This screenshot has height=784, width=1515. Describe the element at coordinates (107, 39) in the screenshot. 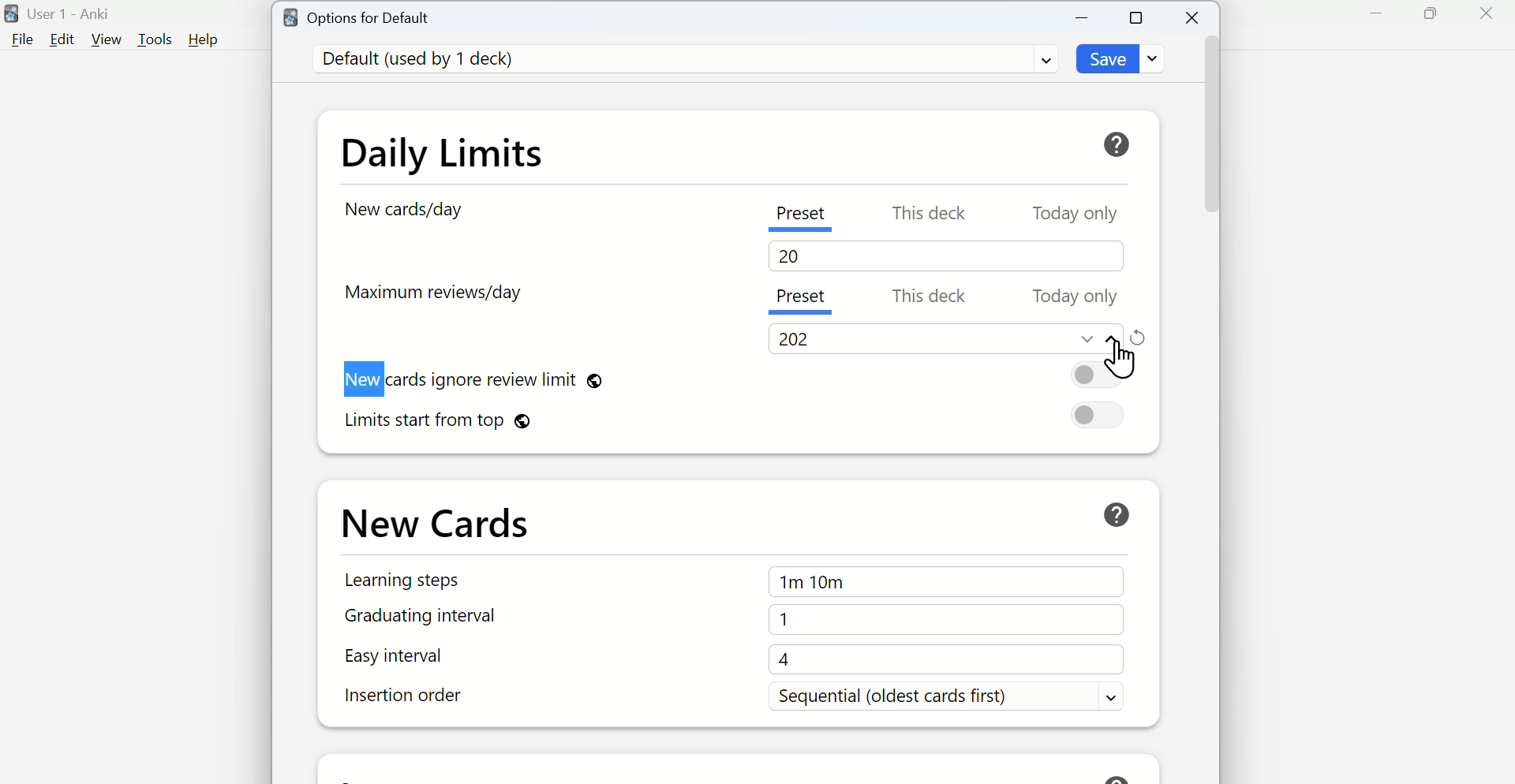

I see `View` at that location.